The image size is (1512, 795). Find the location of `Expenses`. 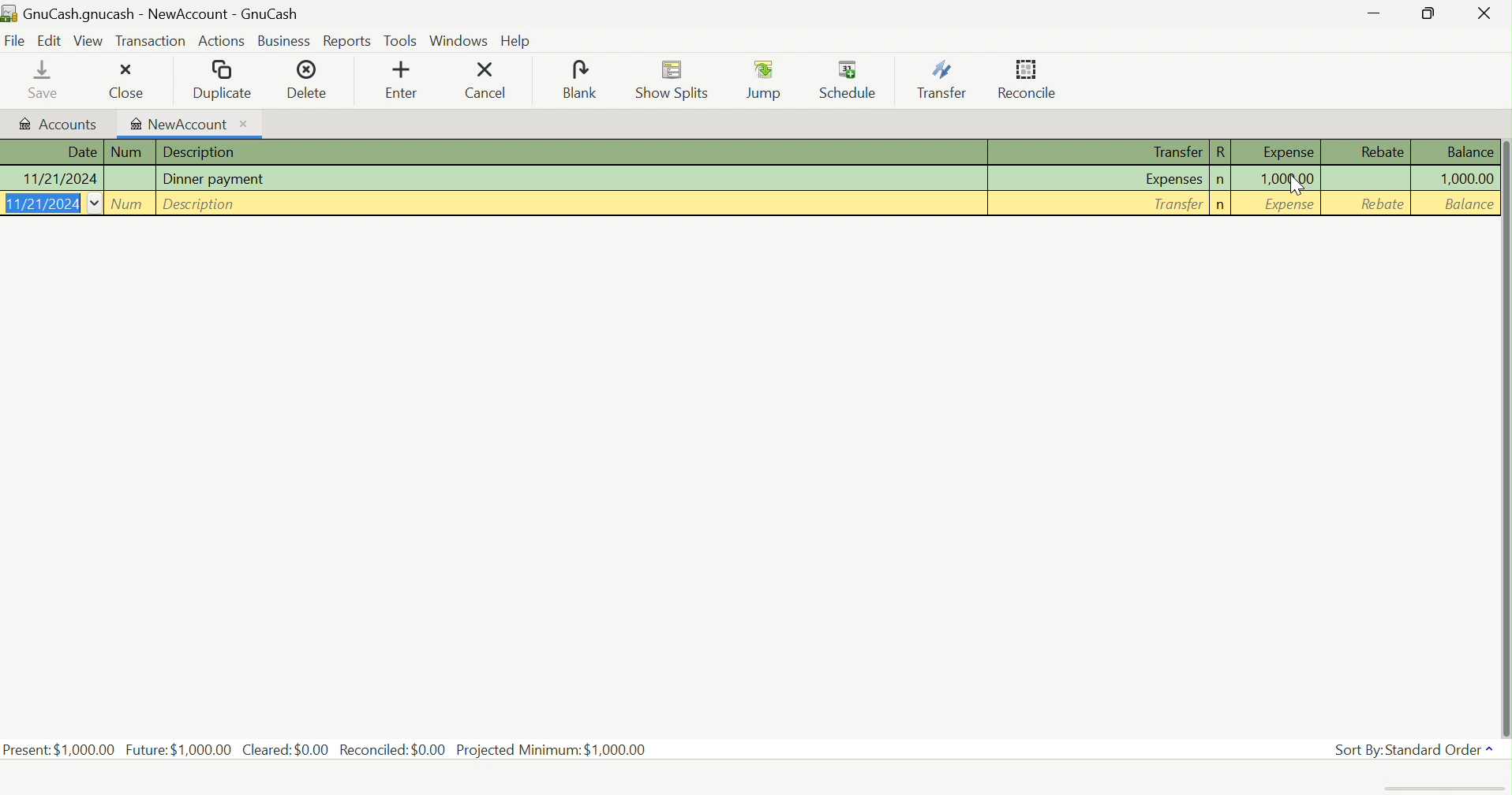

Expenses is located at coordinates (1174, 178).